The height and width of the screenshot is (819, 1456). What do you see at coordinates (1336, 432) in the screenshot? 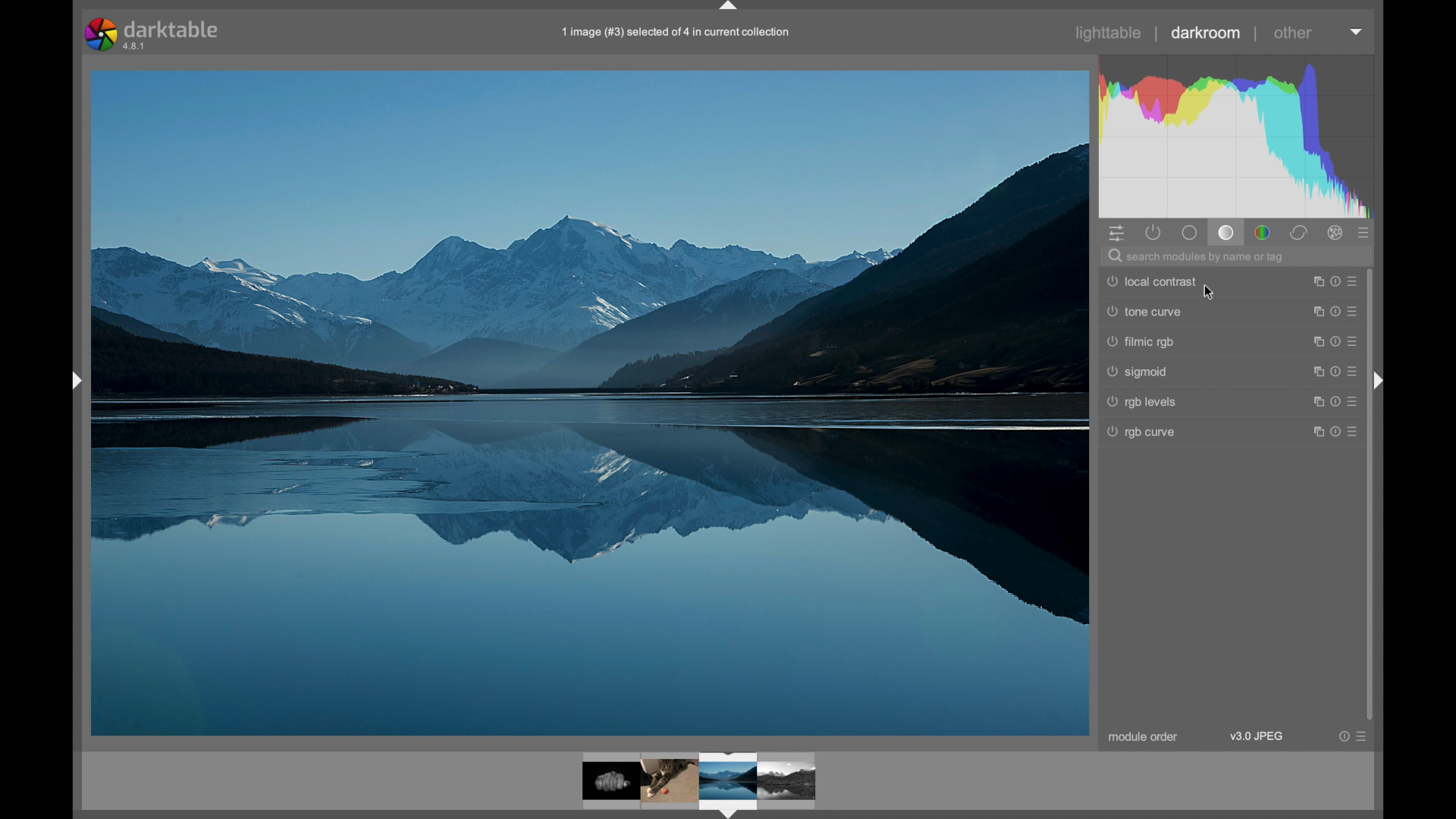
I see `more options` at bounding box center [1336, 432].